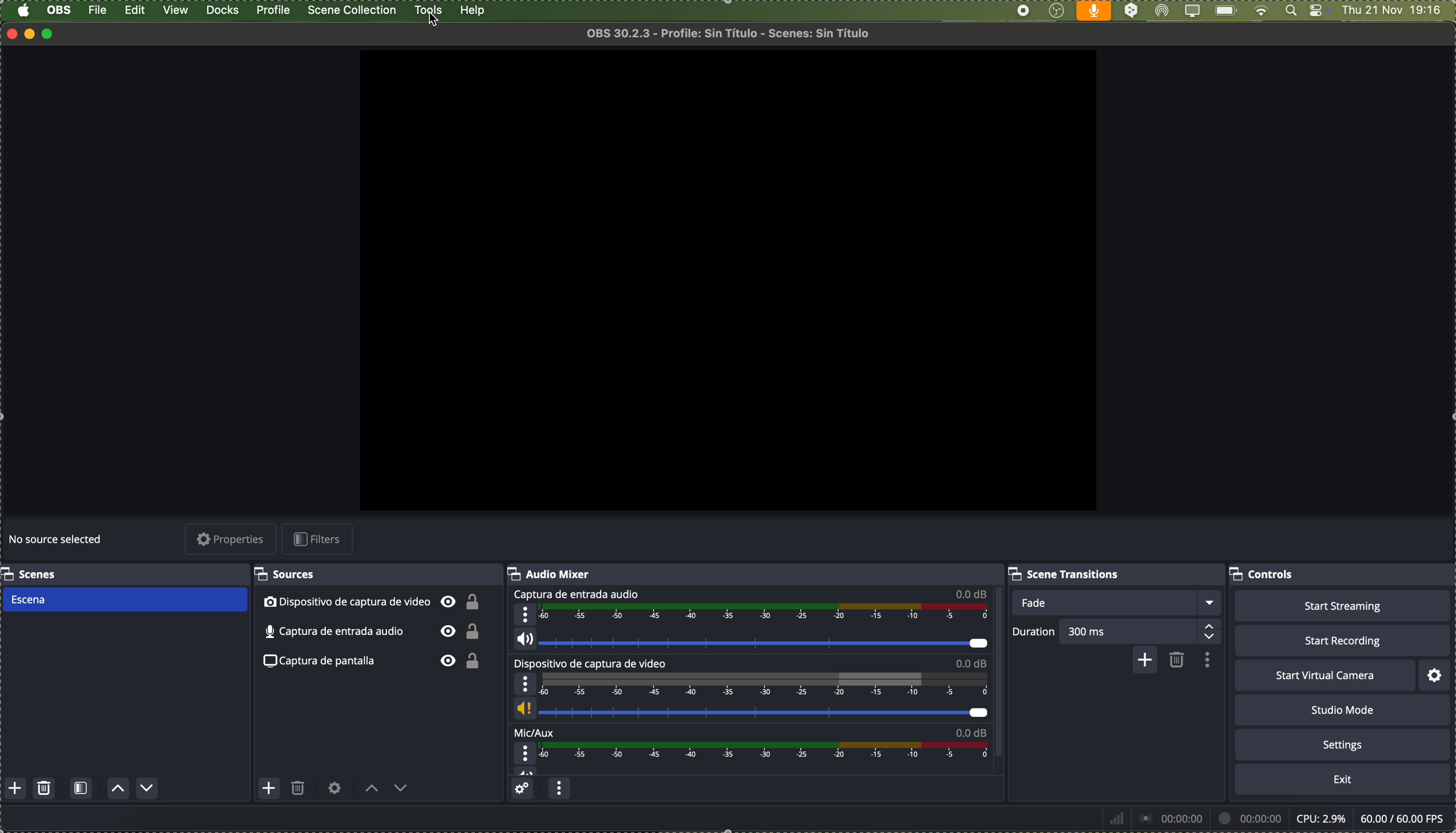 This screenshot has height=833, width=1456. Describe the element at coordinates (23, 11) in the screenshot. I see `Apple icon` at that location.